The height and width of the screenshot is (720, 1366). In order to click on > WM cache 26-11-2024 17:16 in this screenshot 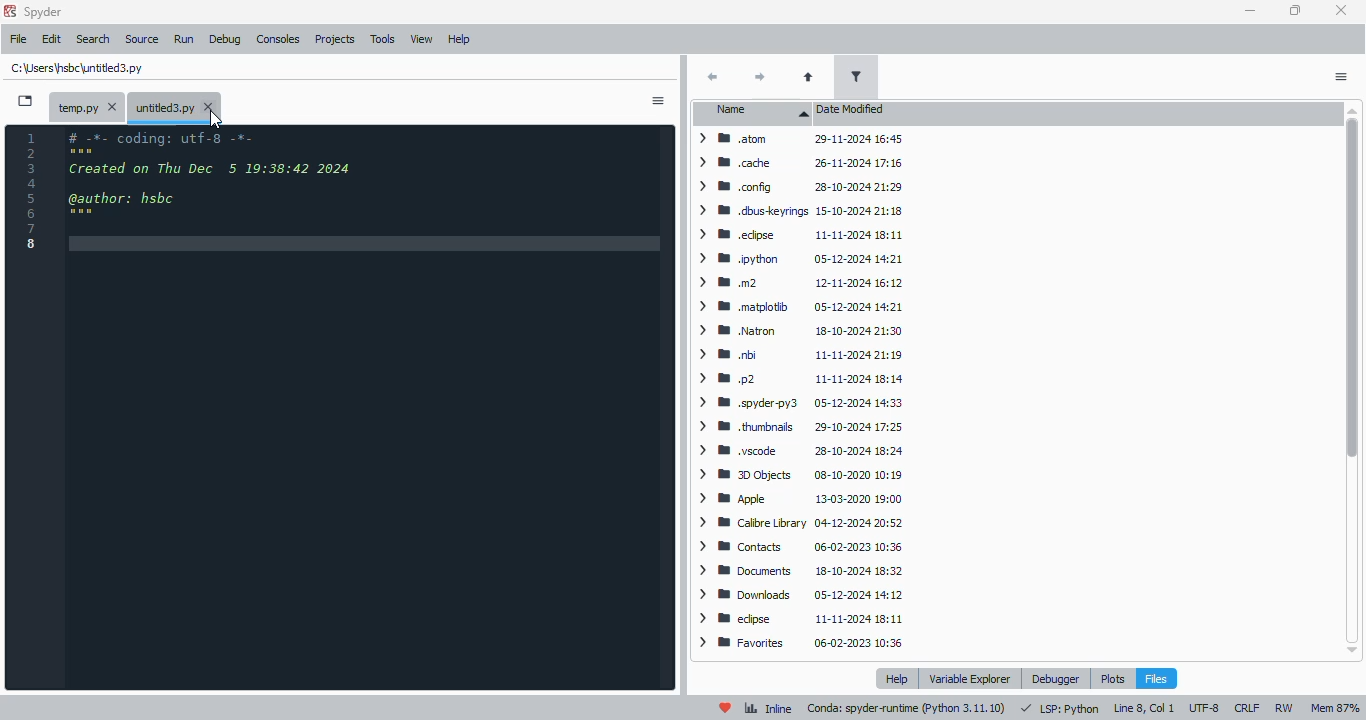, I will do `click(795, 163)`.